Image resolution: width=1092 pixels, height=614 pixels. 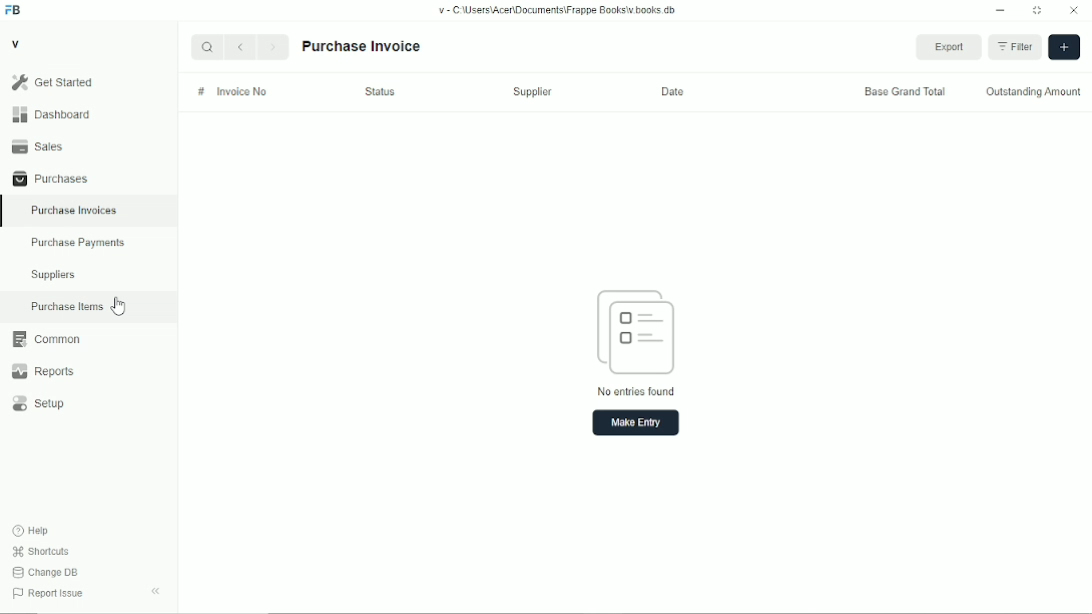 What do you see at coordinates (380, 92) in the screenshot?
I see `status` at bounding box center [380, 92].